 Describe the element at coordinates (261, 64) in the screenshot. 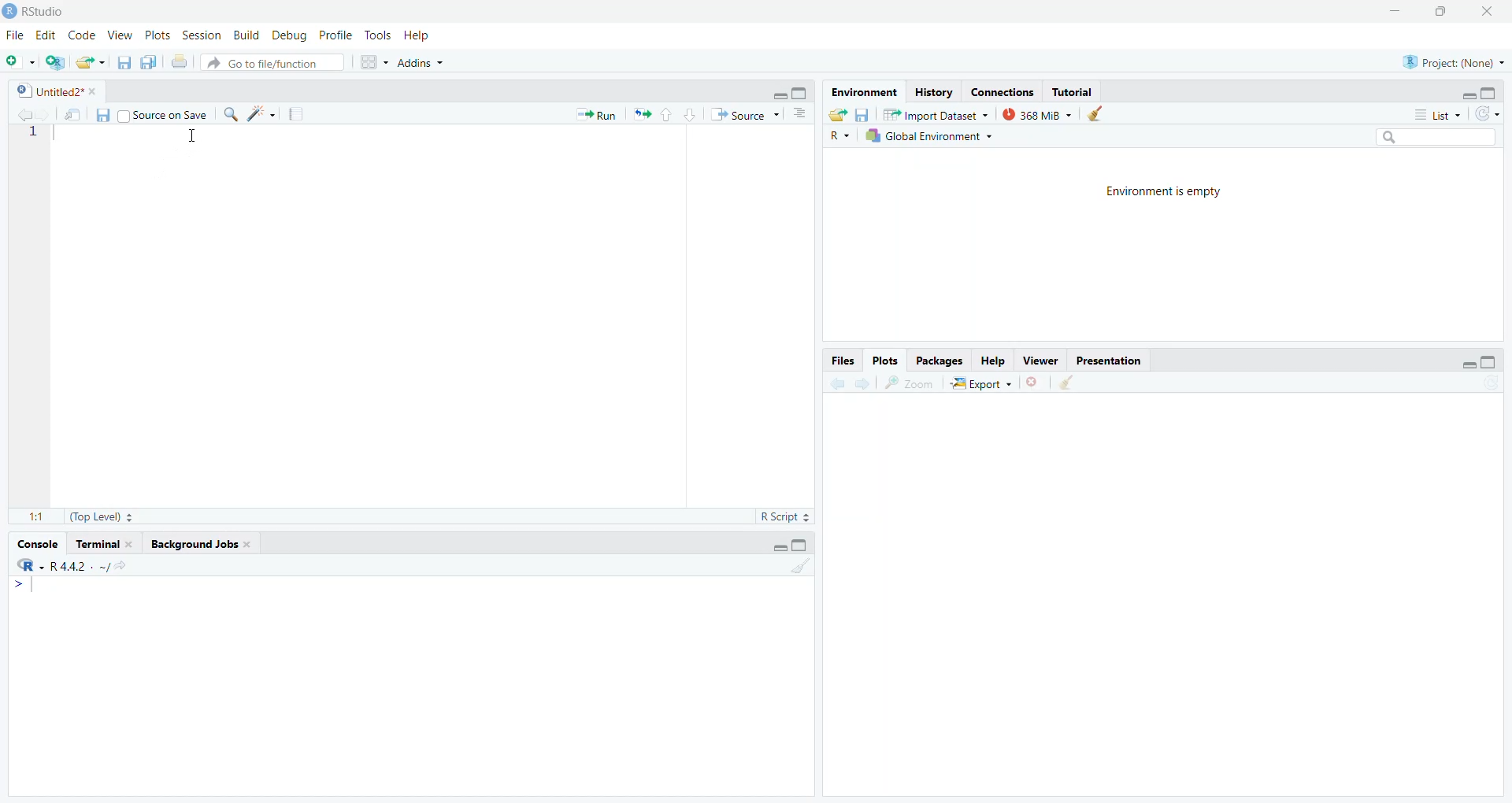

I see `® Go to file/function` at that location.